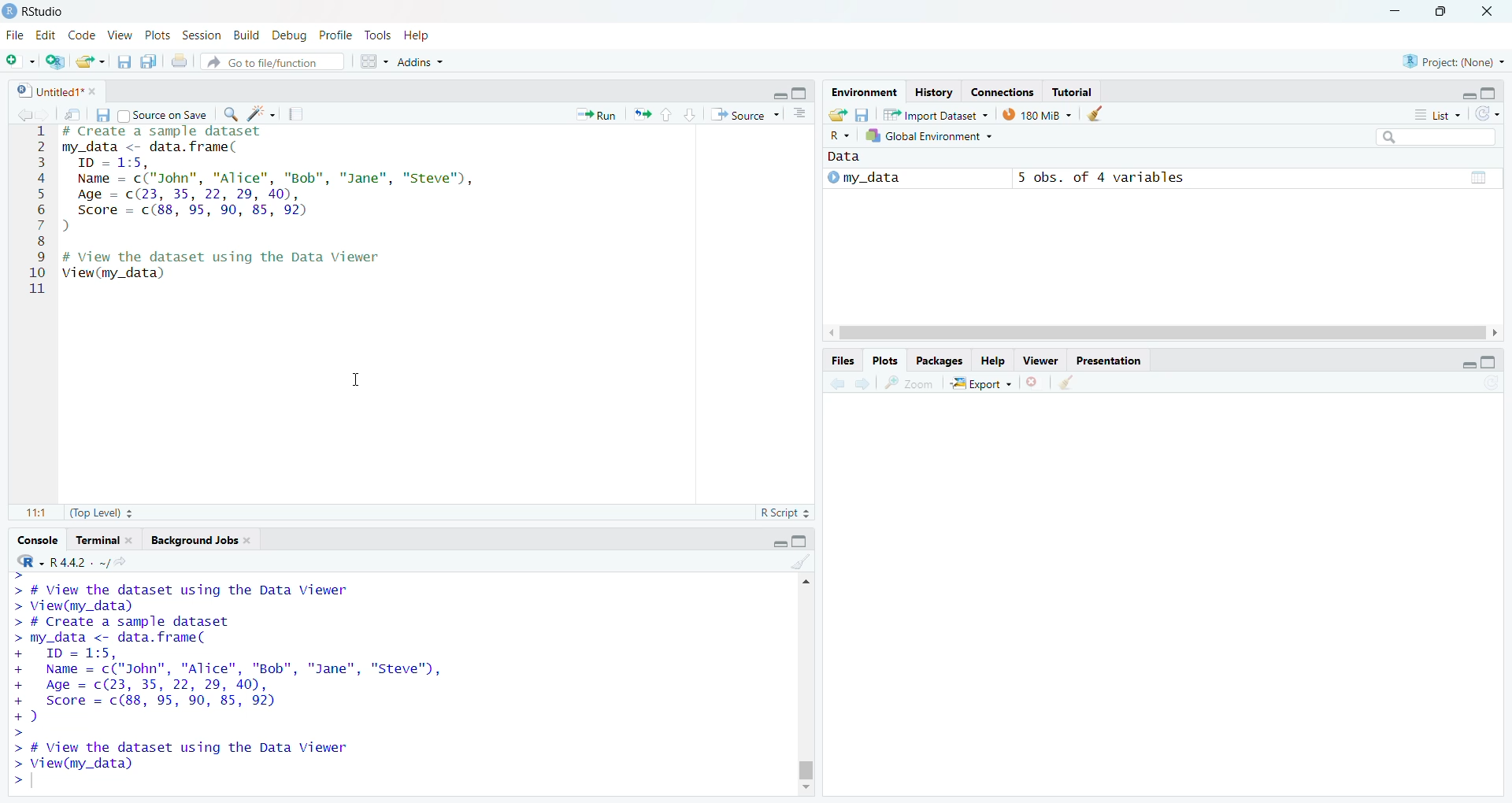 This screenshot has width=1512, height=803. What do you see at coordinates (290, 36) in the screenshot?
I see `Debug` at bounding box center [290, 36].